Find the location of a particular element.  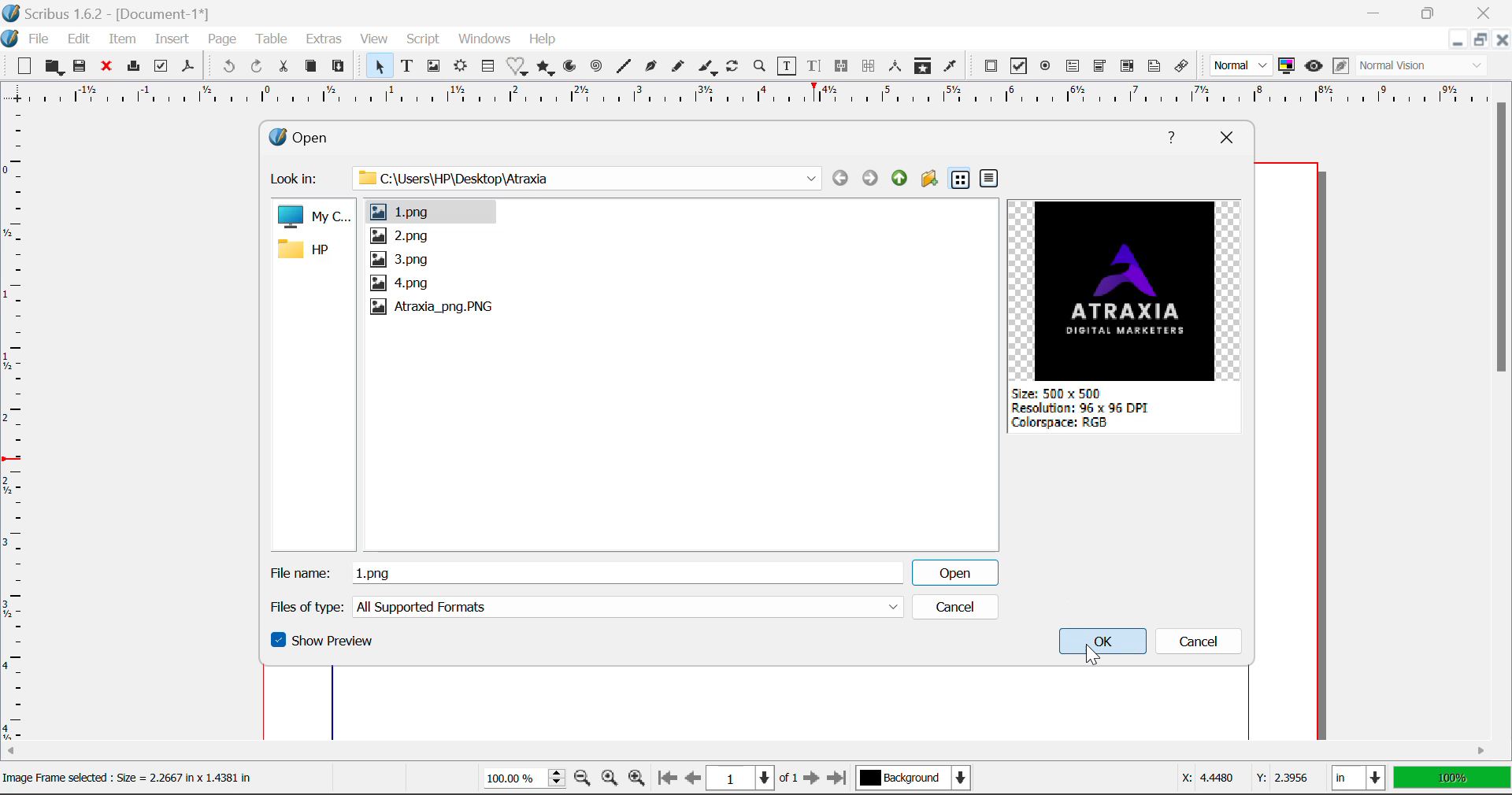

Pdf Radio Button is located at coordinates (1047, 68).